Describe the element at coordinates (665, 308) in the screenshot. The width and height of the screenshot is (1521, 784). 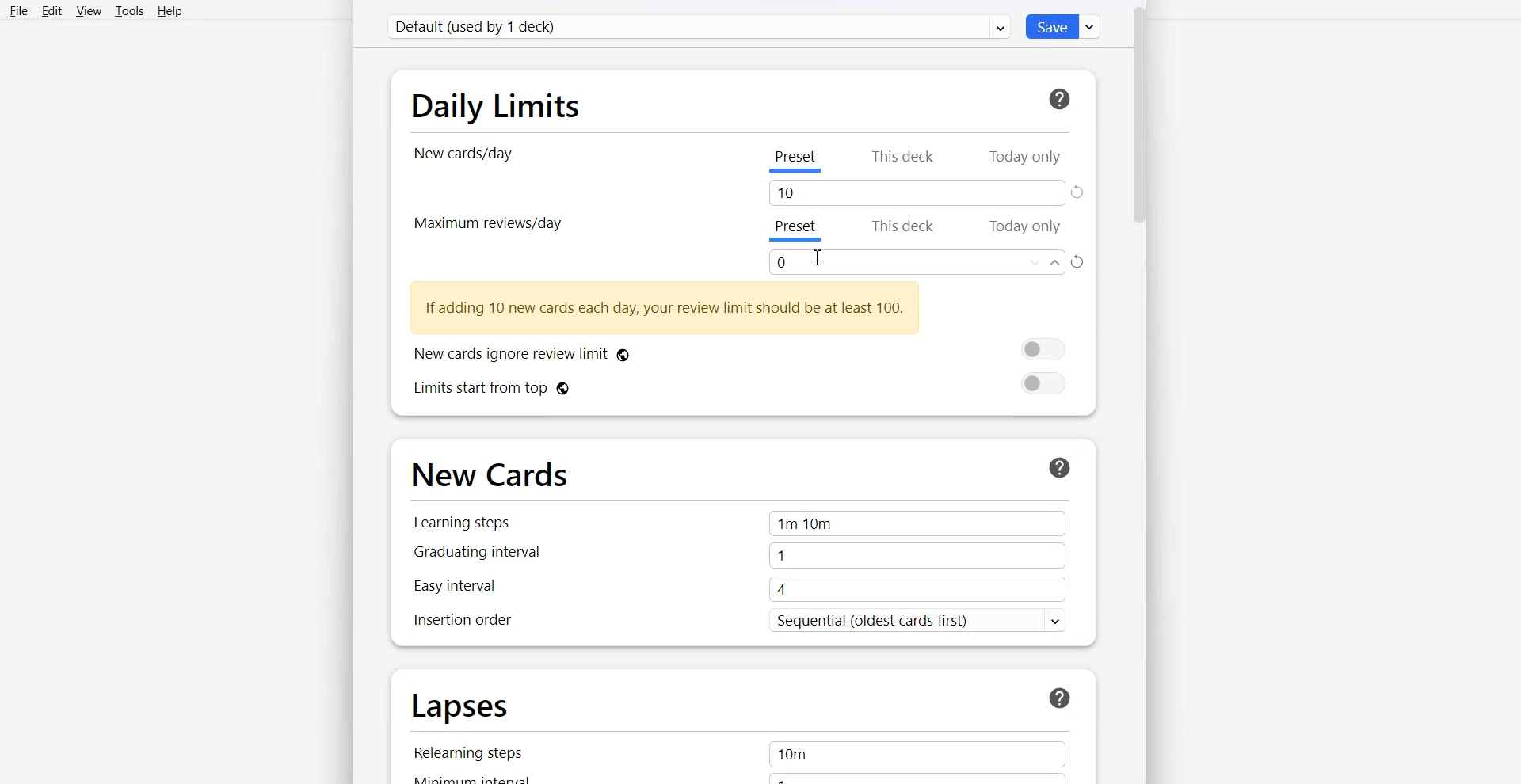
I see `Text` at that location.